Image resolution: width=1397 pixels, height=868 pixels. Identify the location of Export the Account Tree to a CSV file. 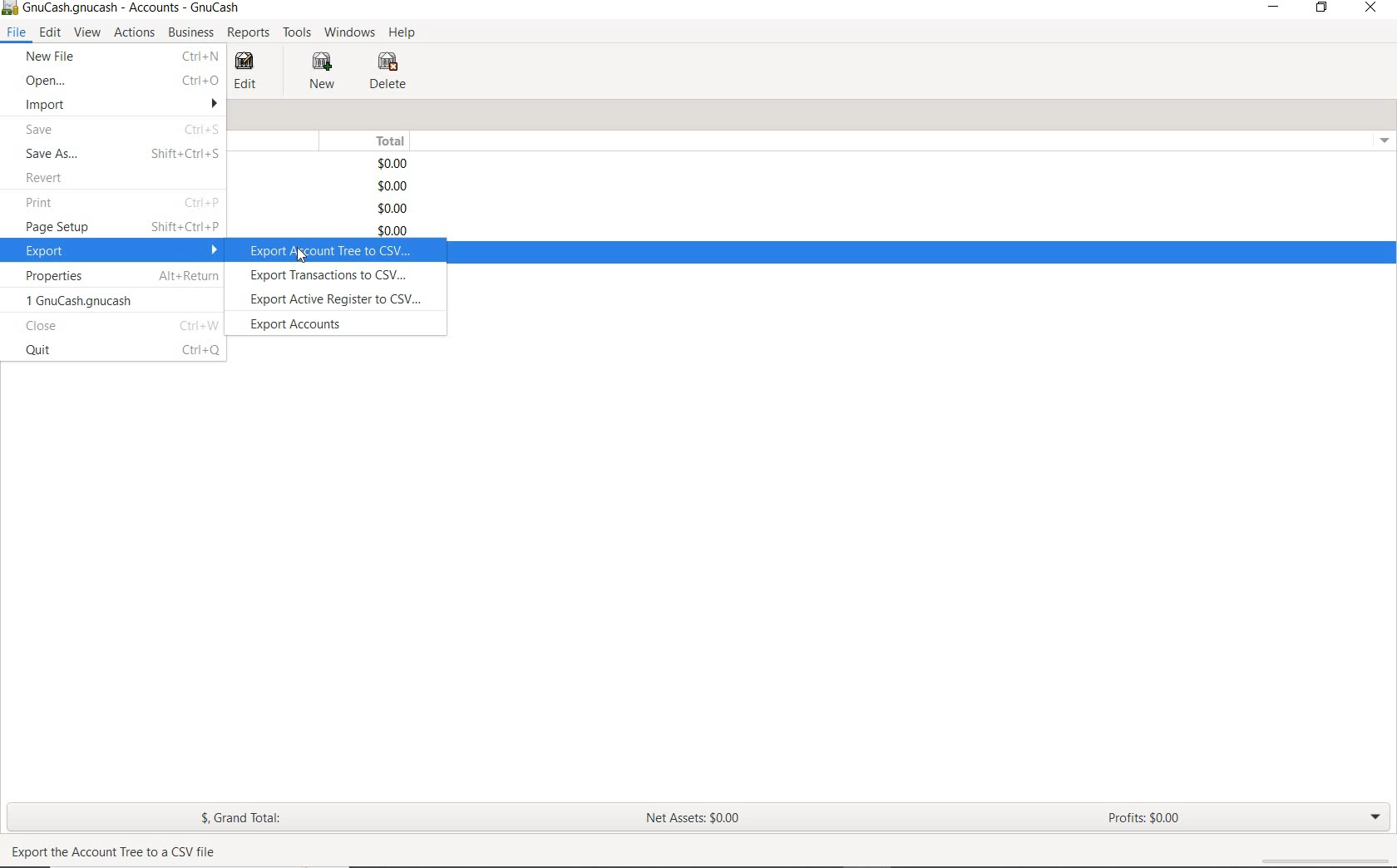
(112, 851).